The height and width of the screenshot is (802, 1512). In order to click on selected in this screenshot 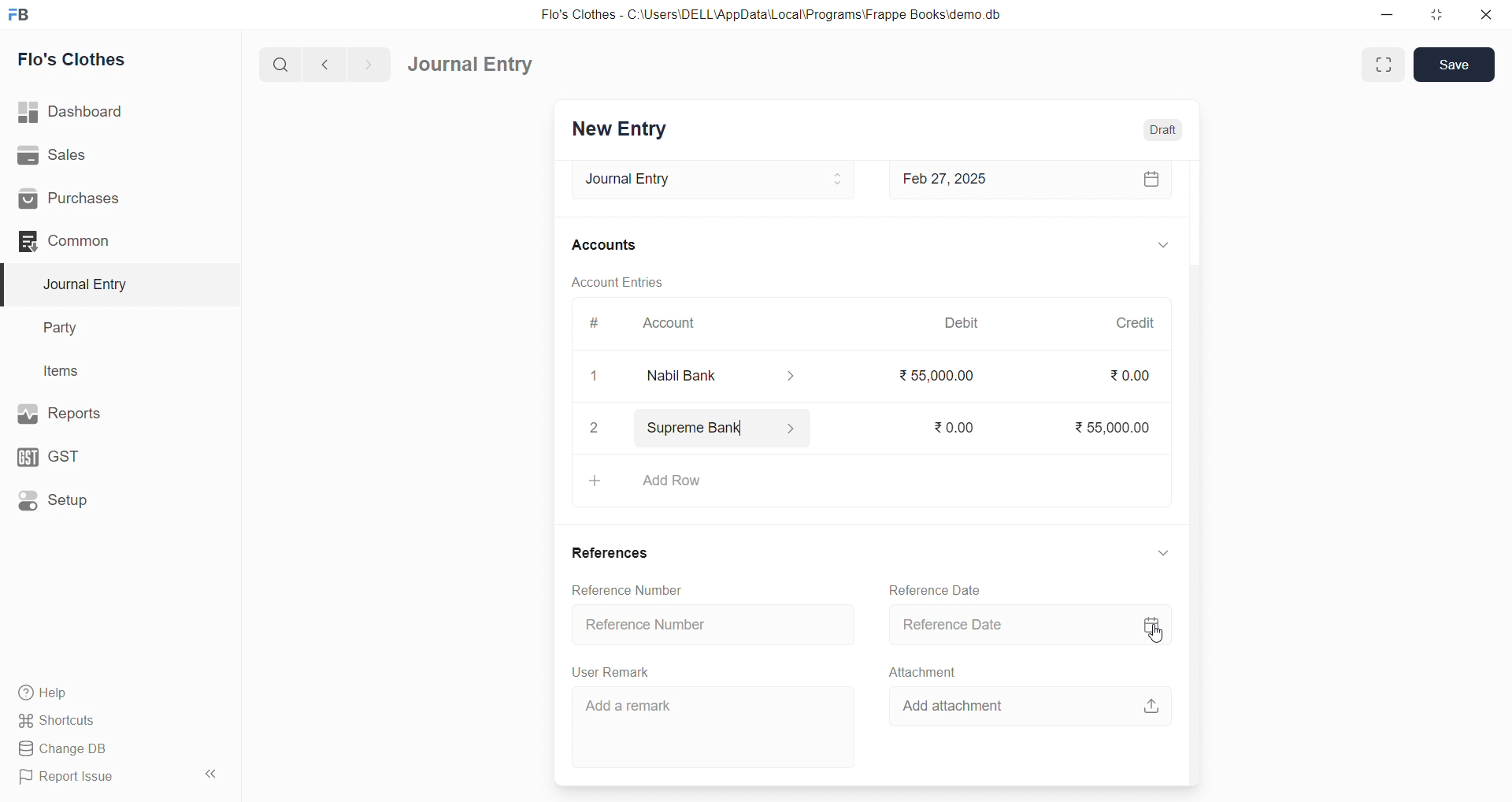, I will do `click(9, 284)`.